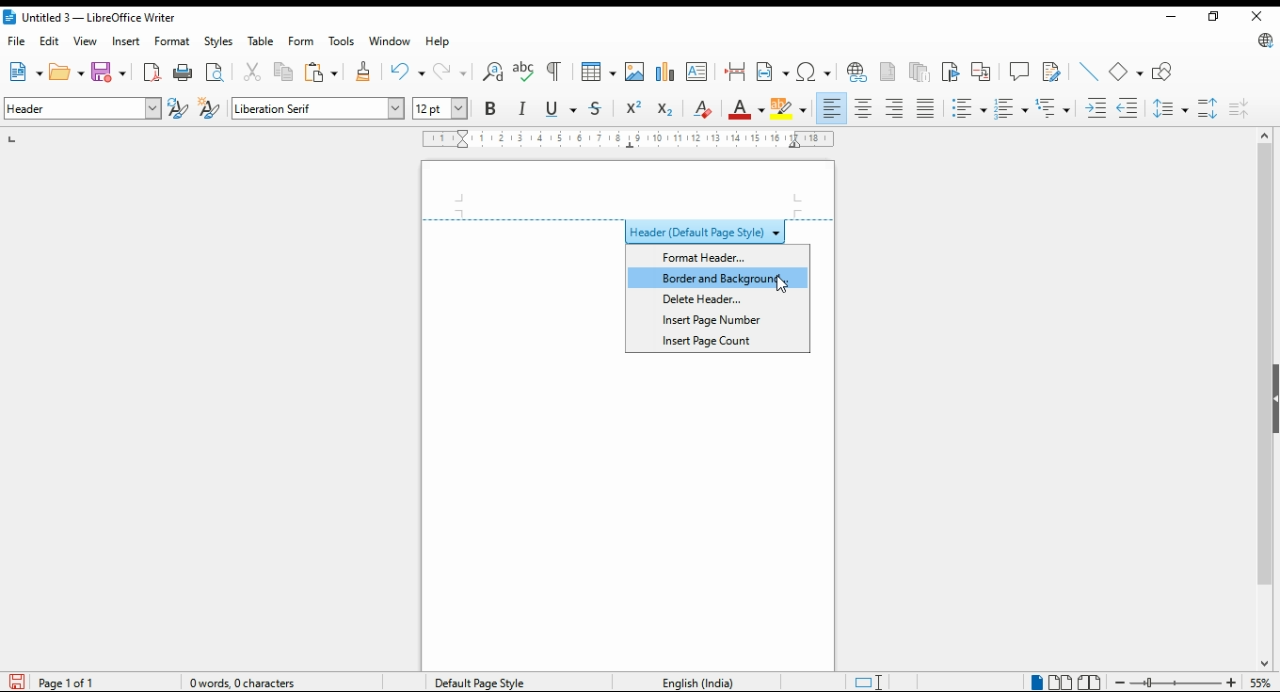 The image size is (1280, 692). What do you see at coordinates (748, 109) in the screenshot?
I see `font color` at bounding box center [748, 109].